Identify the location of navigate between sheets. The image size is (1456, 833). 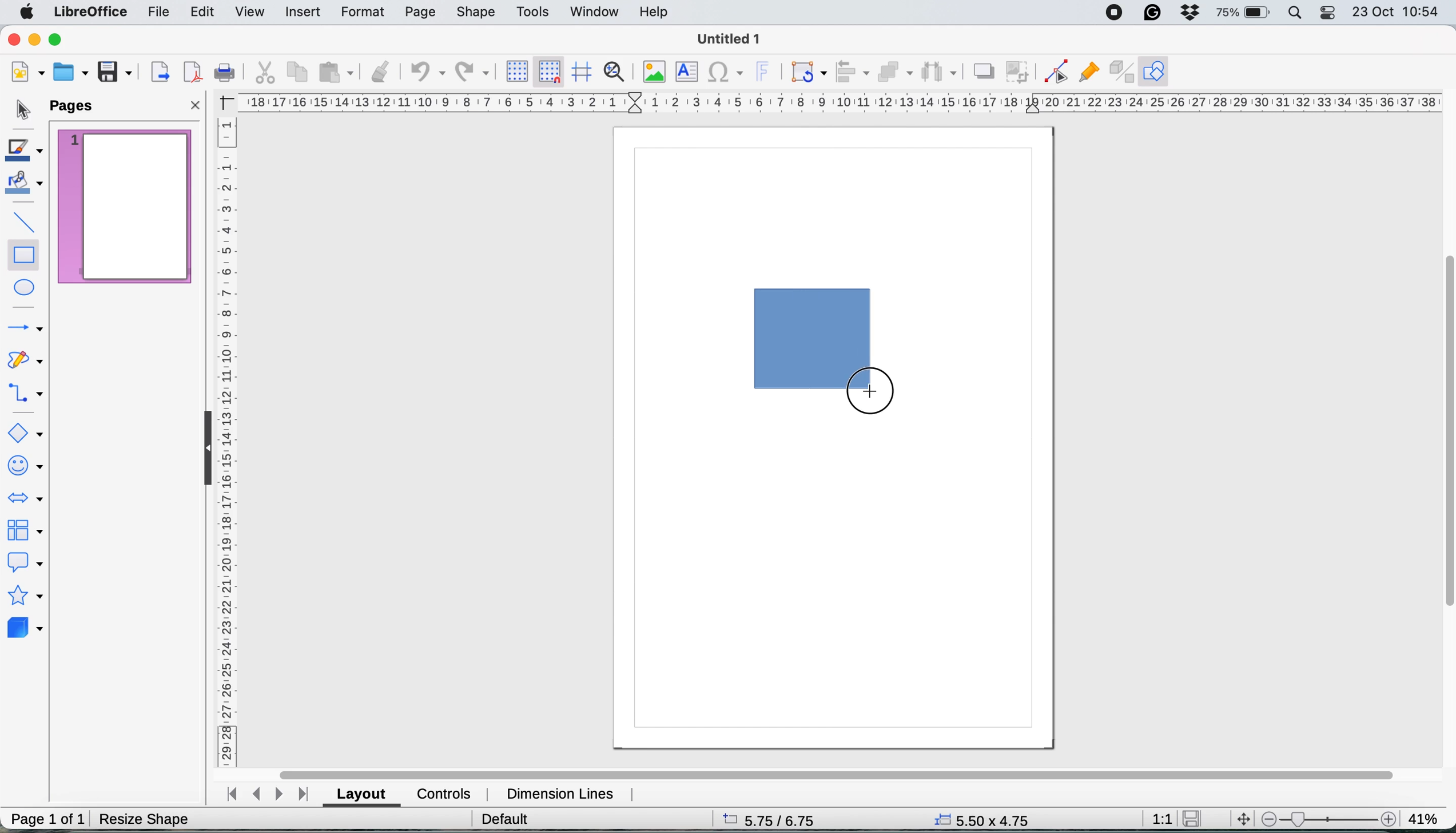
(270, 795).